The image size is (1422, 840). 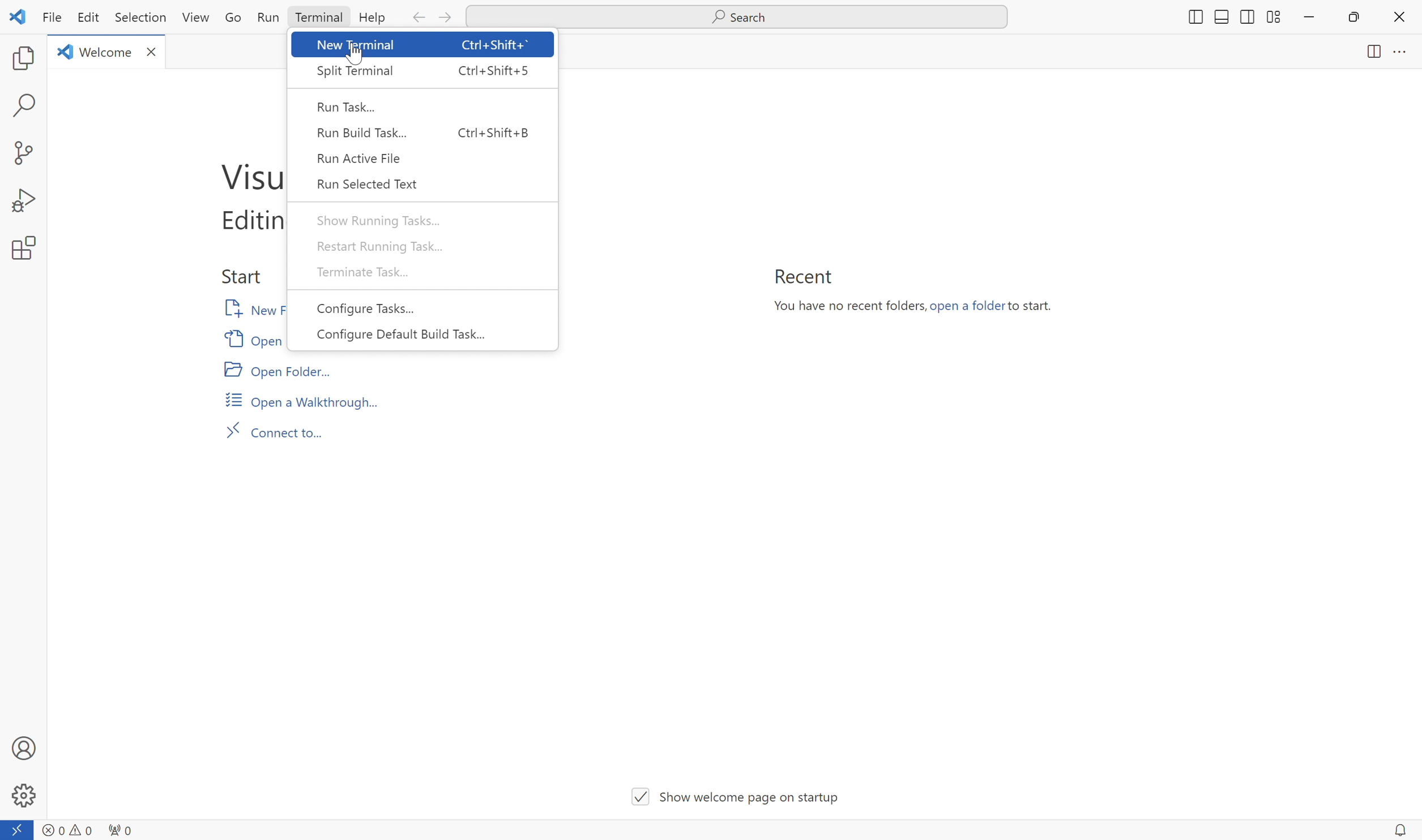 I want to click on , so click(x=1193, y=18).